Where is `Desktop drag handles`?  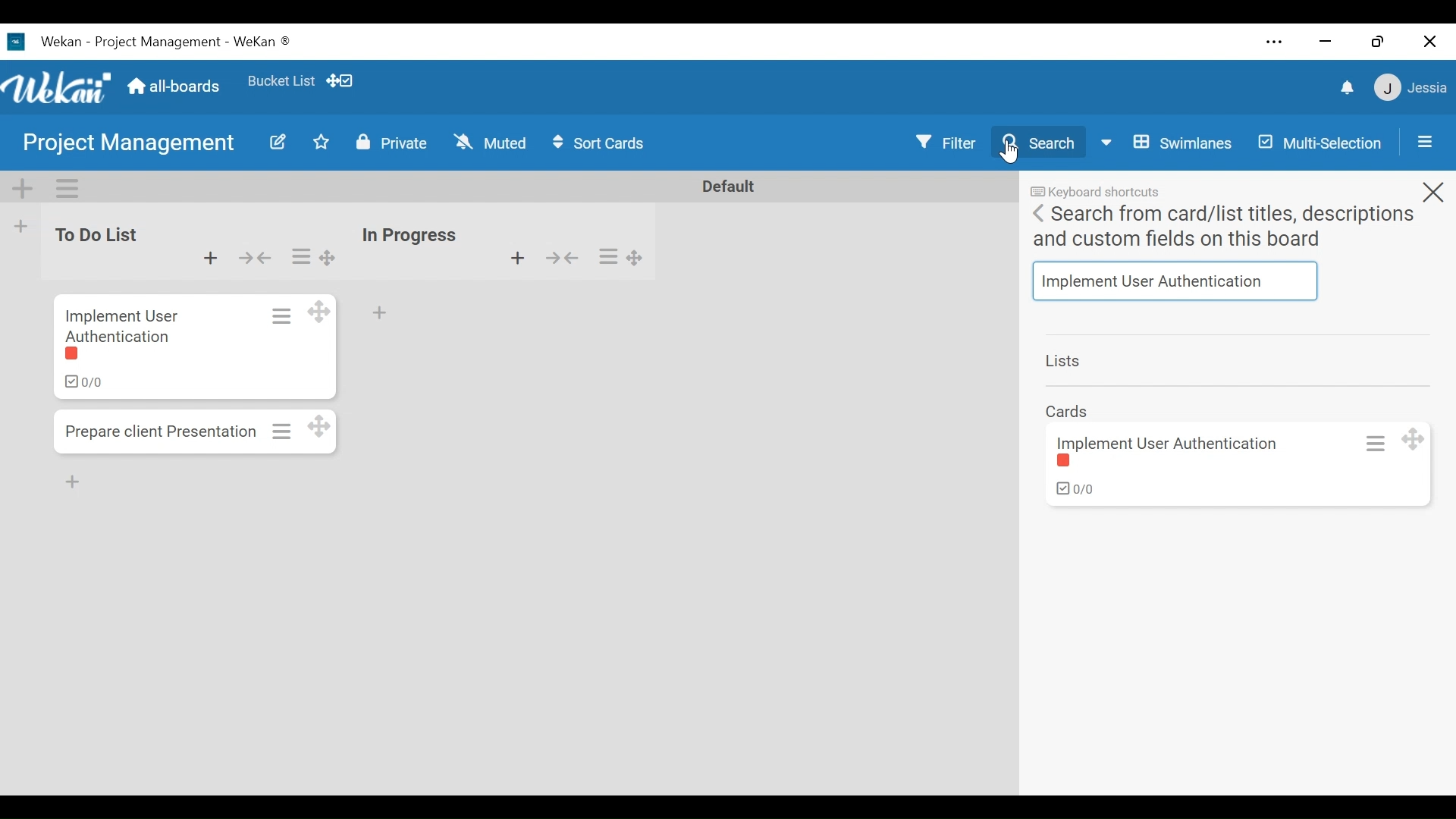
Desktop drag handles is located at coordinates (325, 426).